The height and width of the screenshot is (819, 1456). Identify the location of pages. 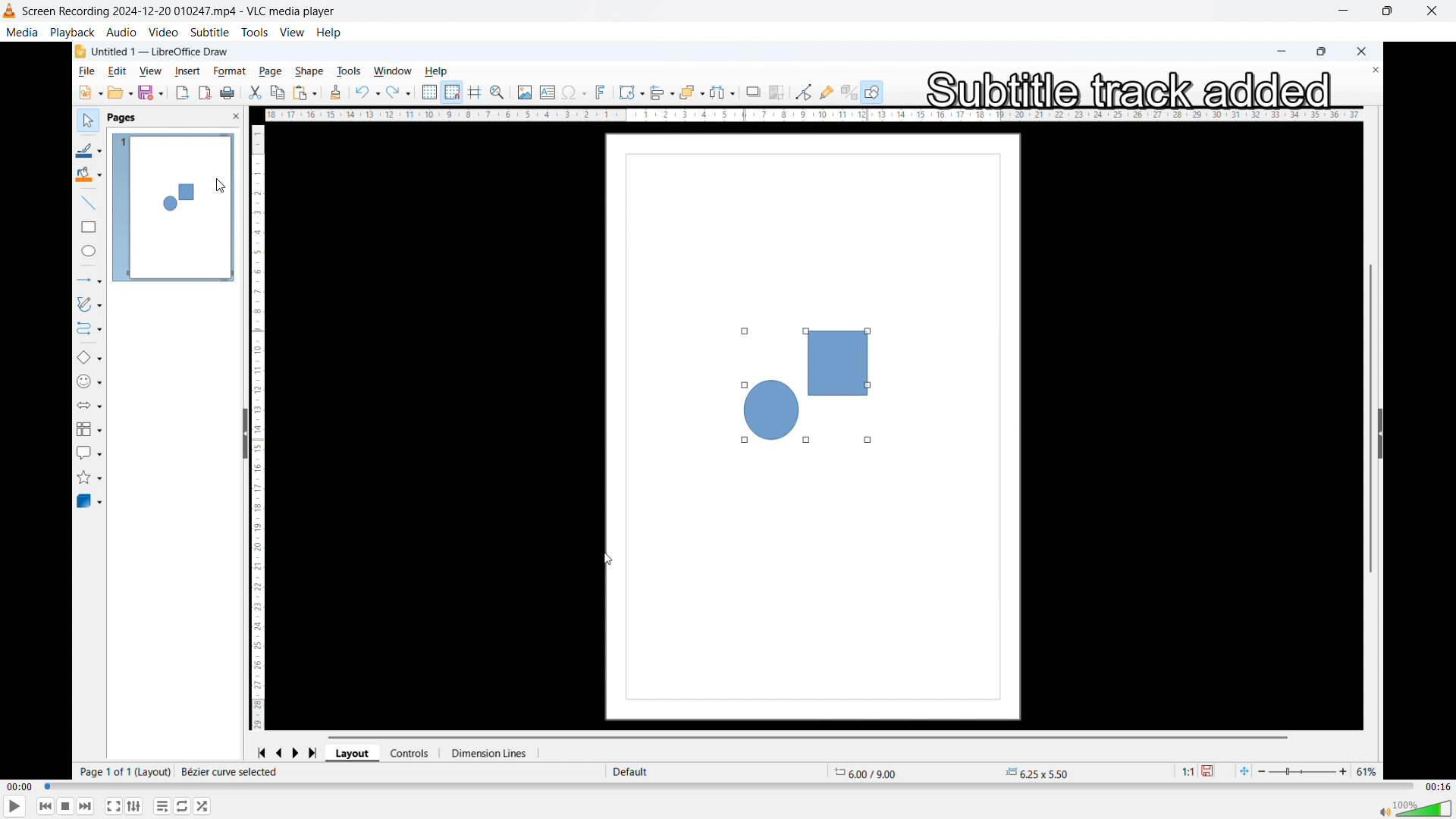
(123, 119).